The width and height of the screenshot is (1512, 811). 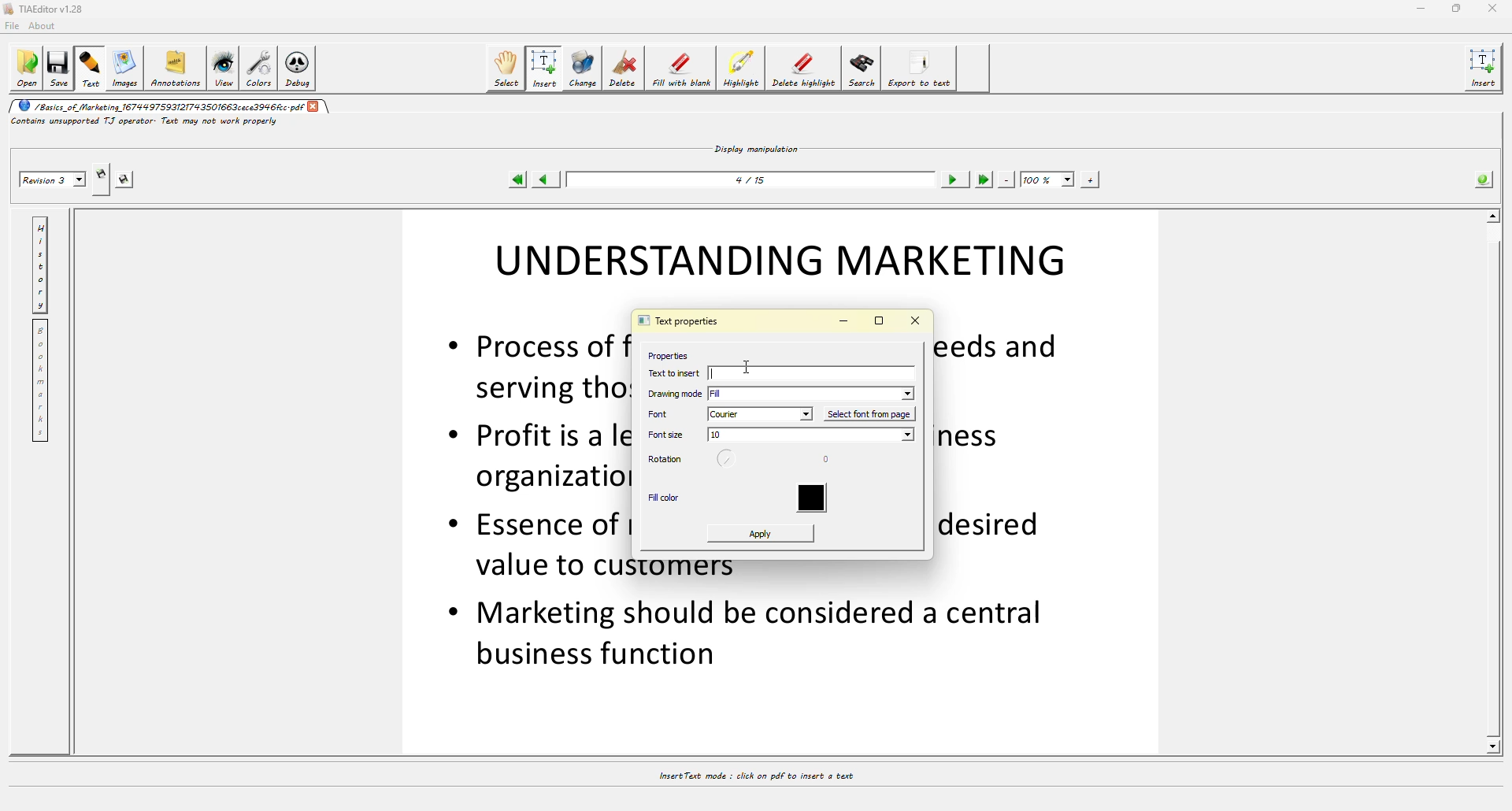 I want to click on bookmarks, so click(x=43, y=381).